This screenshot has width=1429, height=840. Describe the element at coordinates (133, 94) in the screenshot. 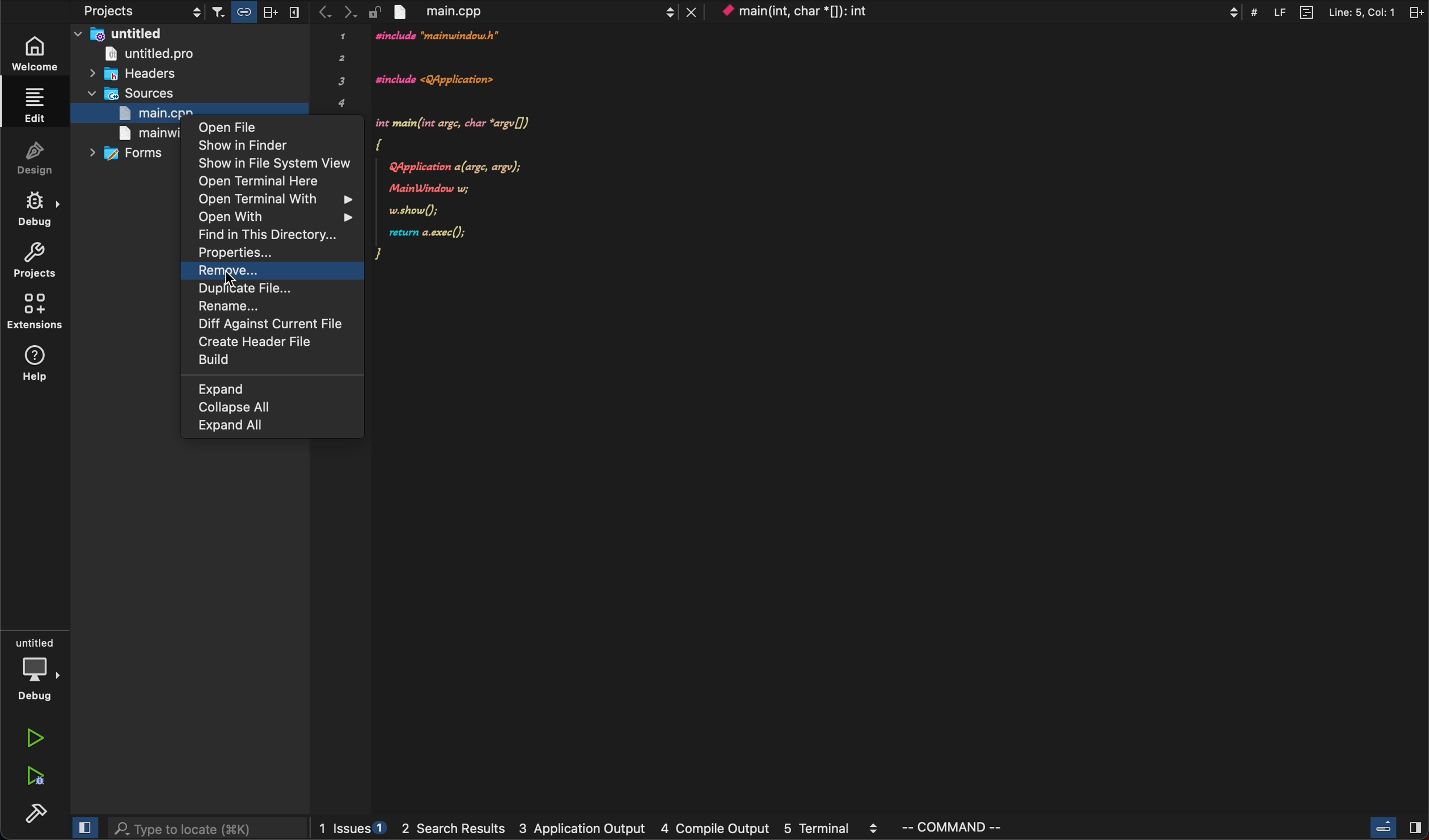

I see `sources` at that location.